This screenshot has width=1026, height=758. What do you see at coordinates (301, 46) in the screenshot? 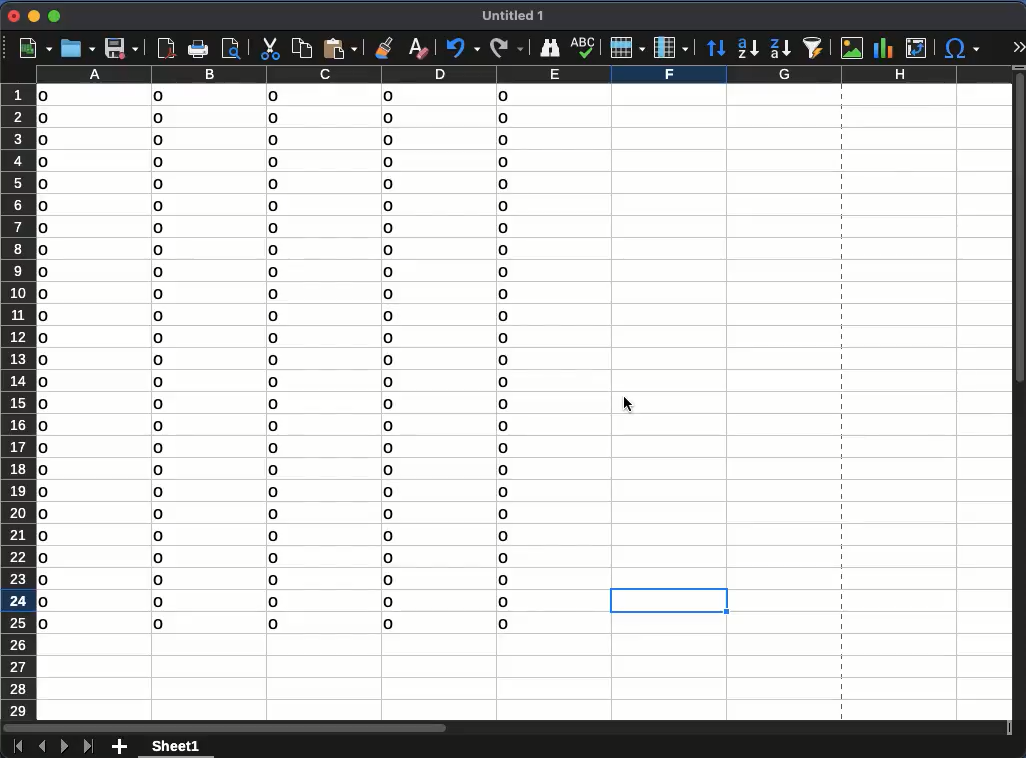
I see `copy` at bounding box center [301, 46].